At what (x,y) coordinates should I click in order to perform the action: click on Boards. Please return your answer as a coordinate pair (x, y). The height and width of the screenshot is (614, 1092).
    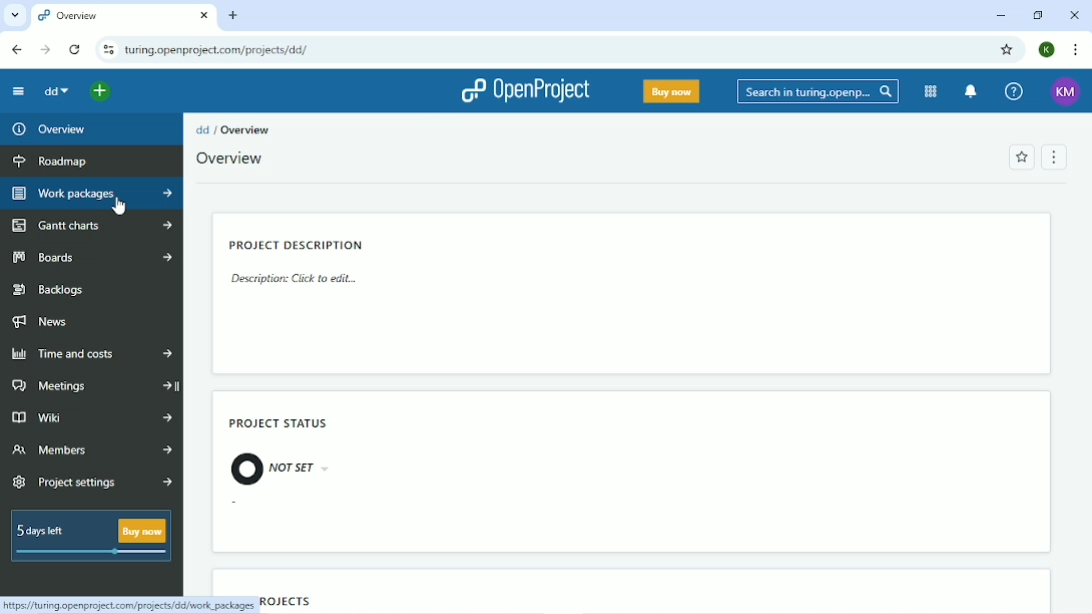
    Looking at the image, I should click on (90, 257).